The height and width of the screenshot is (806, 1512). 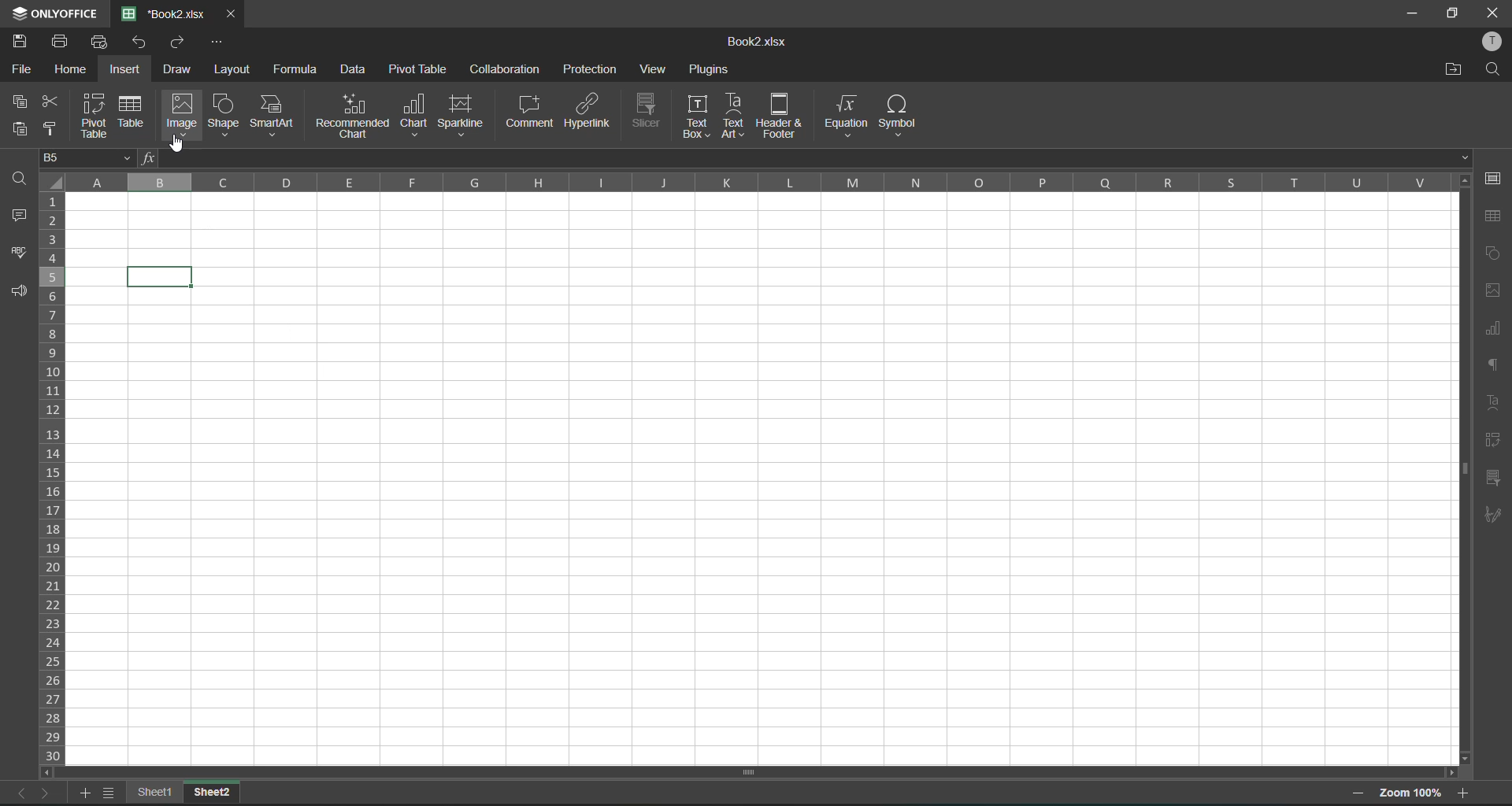 What do you see at coordinates (732, 116) in the screenshot?
I see `text art` at bounding box center [732, 116].